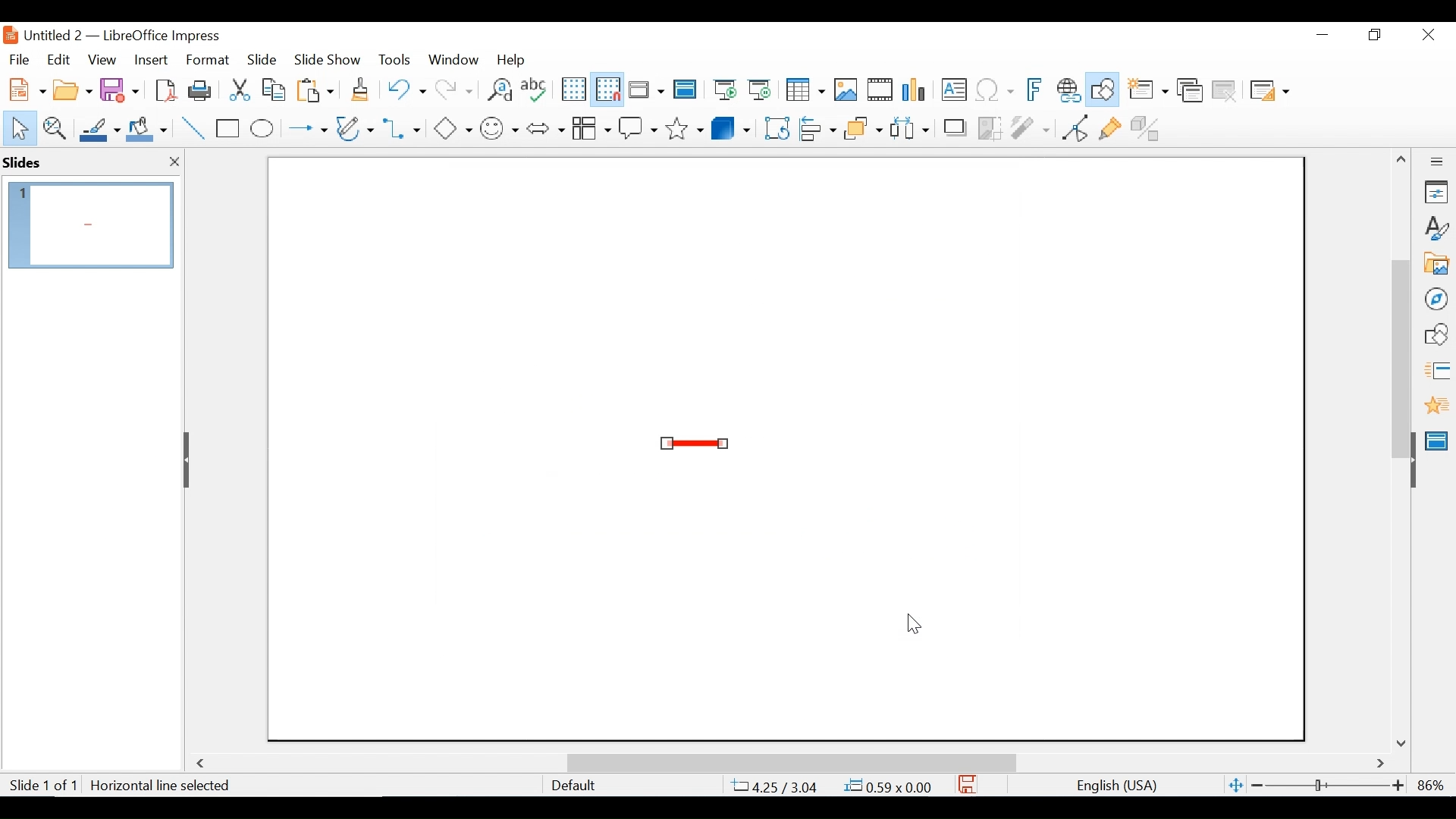 Image resolution: width=1456 pixels, height=819 pixels. What do you see at coordinates (833, 786) in the screenshot?
I see `4.25/3.04   0.59x0.00` at bounding box center [833, 786].